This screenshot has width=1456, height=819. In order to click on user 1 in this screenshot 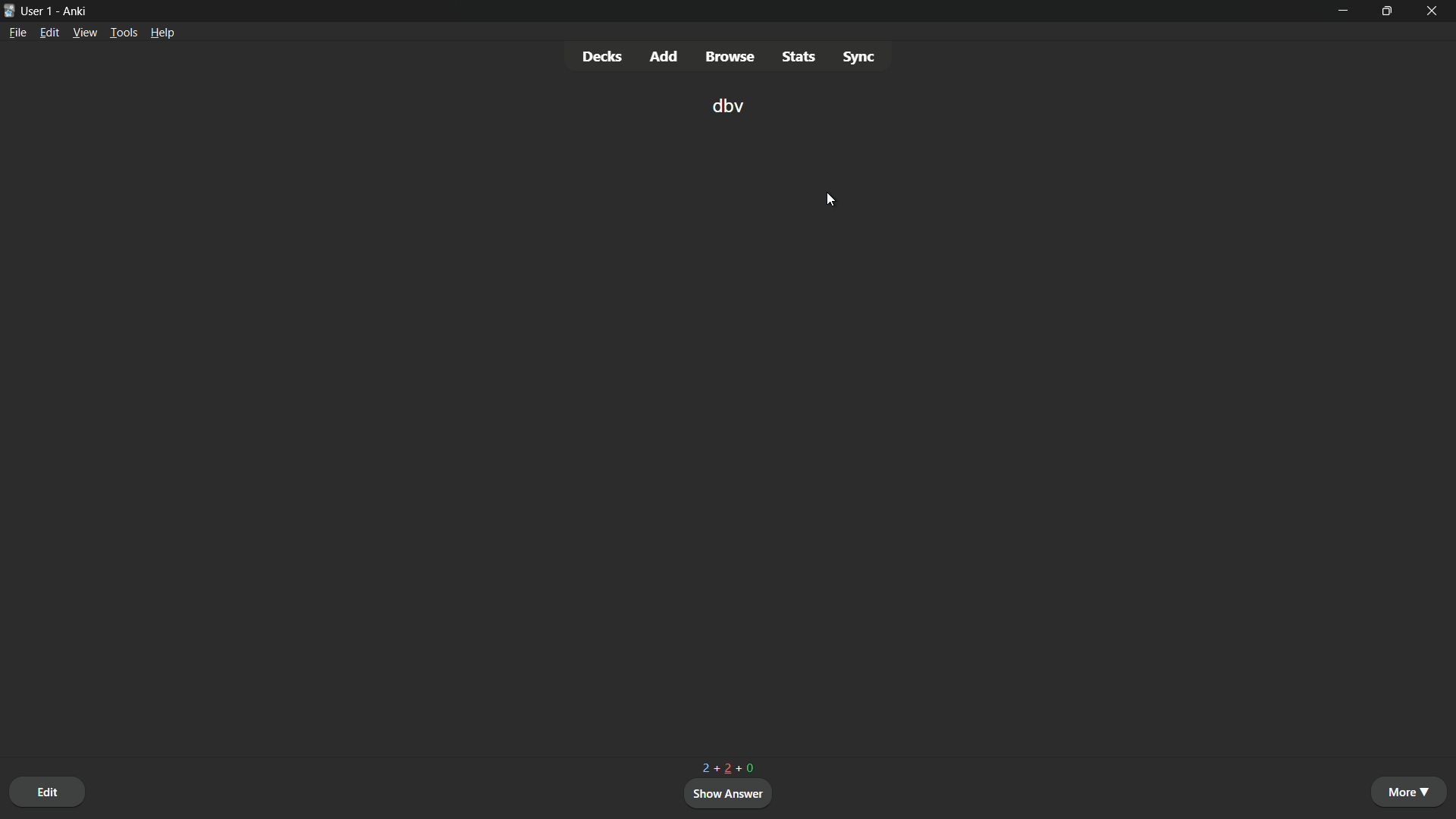, I will do `click(37, 11)`.